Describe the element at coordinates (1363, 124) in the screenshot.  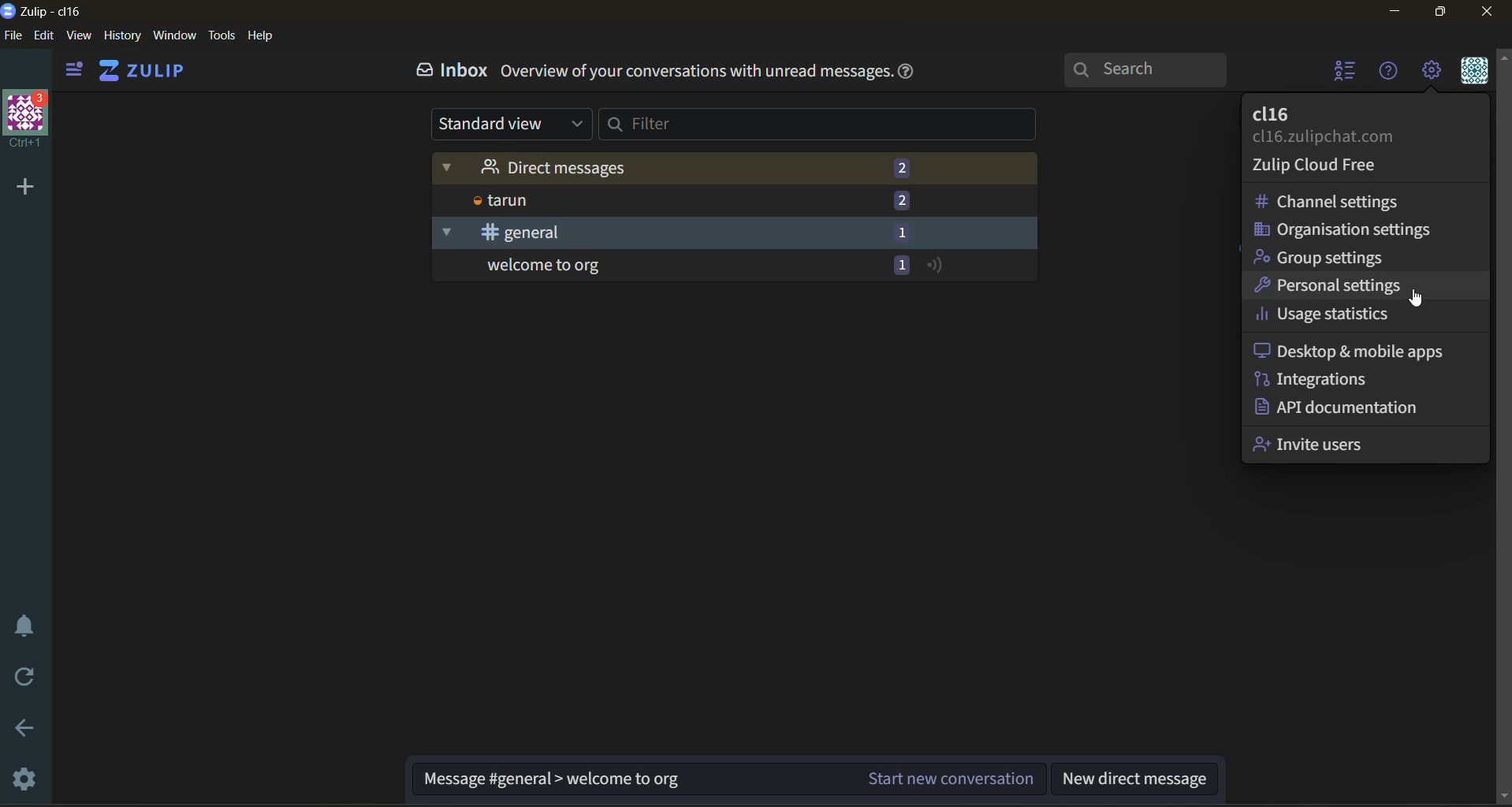
I see `profile` at that location.